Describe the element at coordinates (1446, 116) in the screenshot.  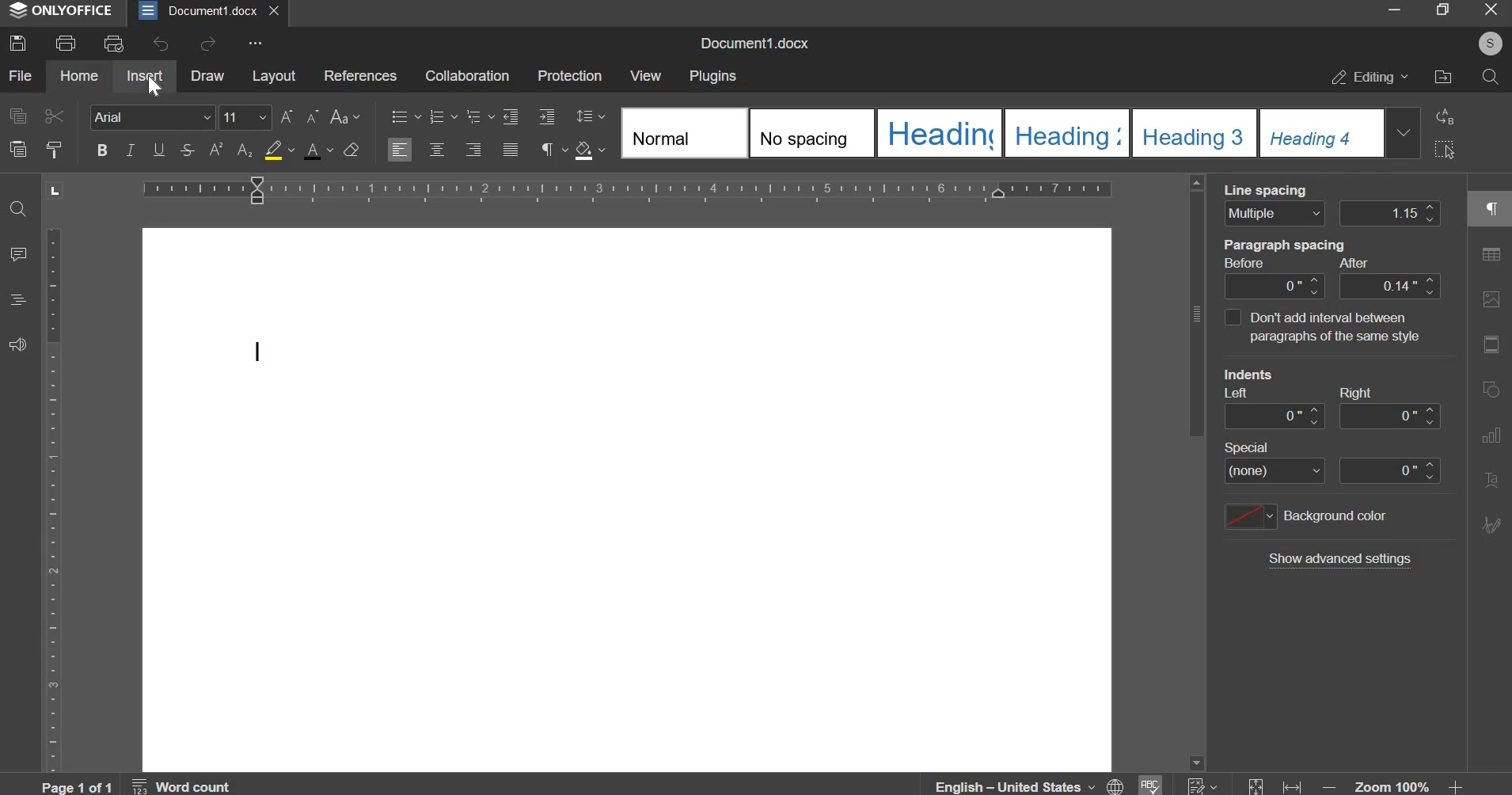
I see `replace` at that location.